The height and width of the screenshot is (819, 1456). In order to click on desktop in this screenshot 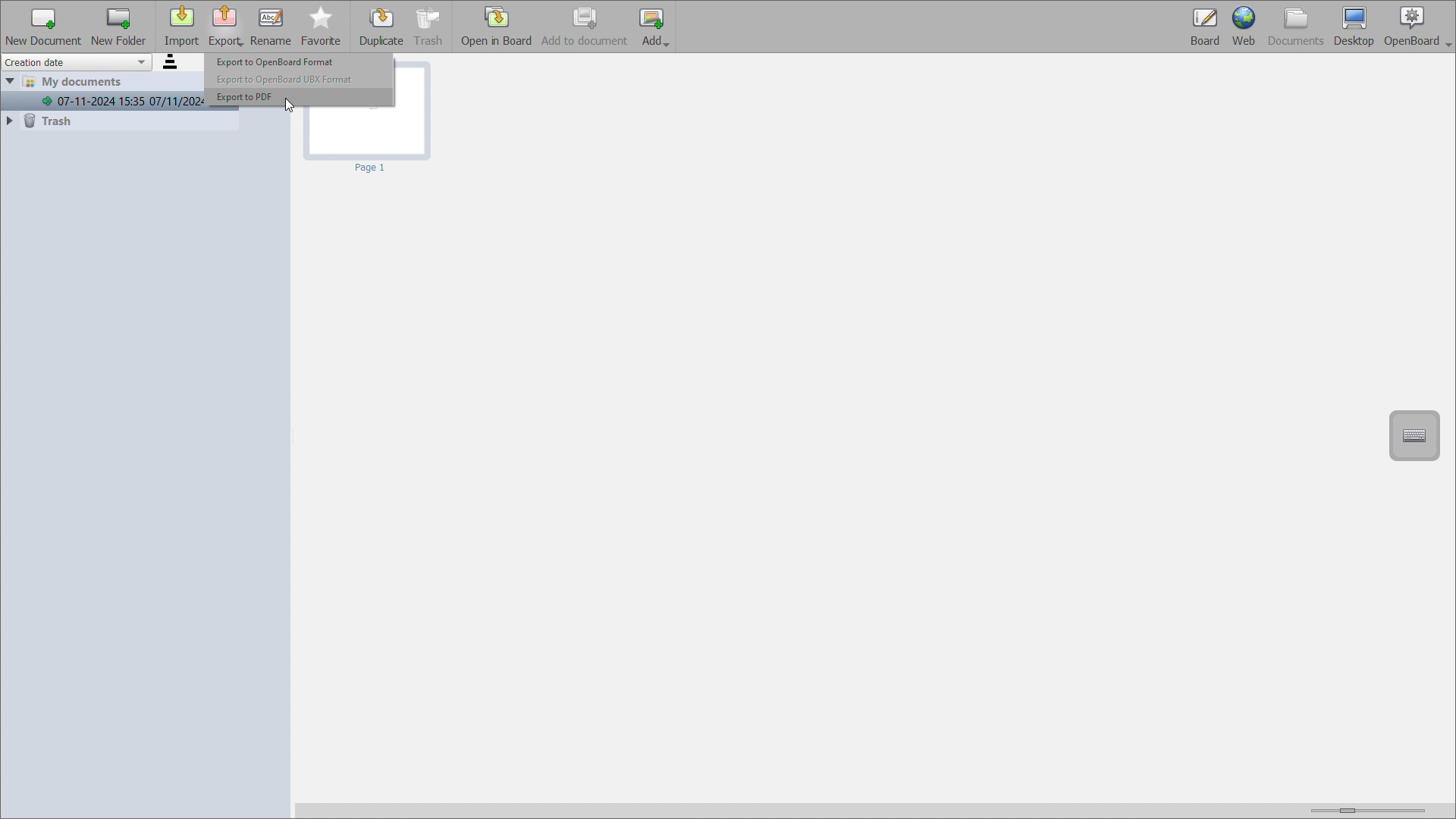, I will do `click(1354, 27)`.